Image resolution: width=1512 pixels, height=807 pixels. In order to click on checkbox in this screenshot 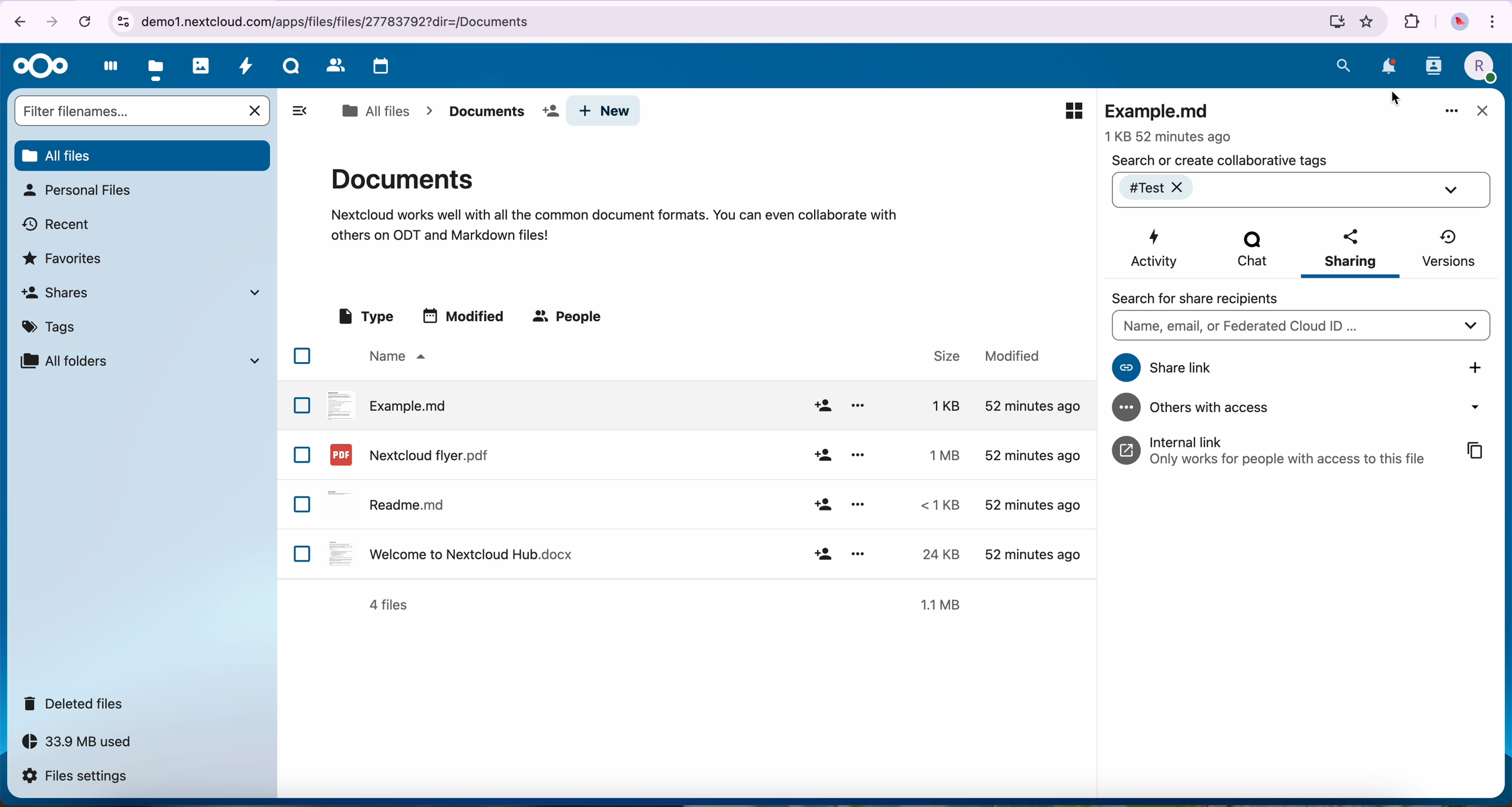, I will do `click(302, 356)`.